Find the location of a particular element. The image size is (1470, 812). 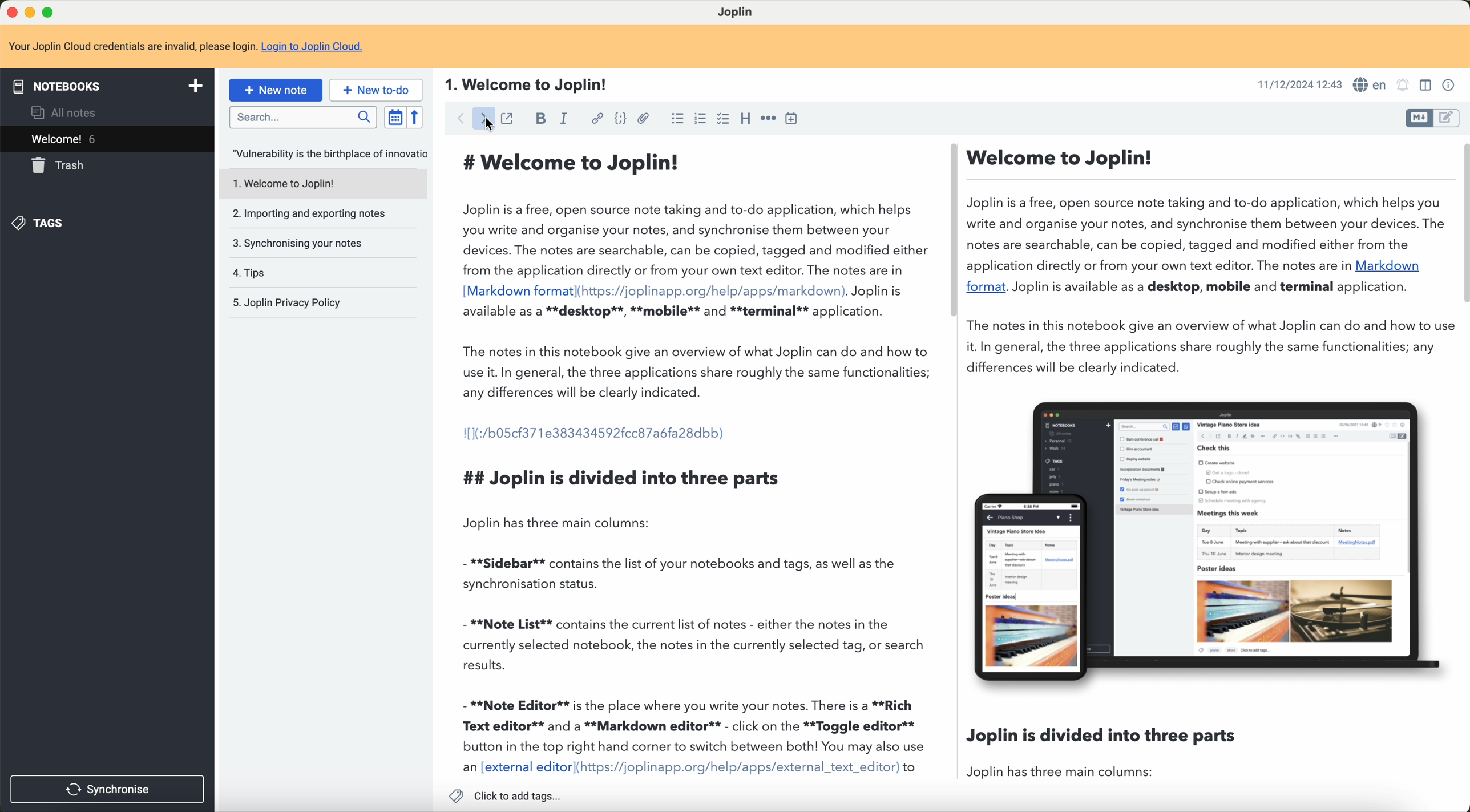

welcome to joplin is located at coordinates (283, 185).